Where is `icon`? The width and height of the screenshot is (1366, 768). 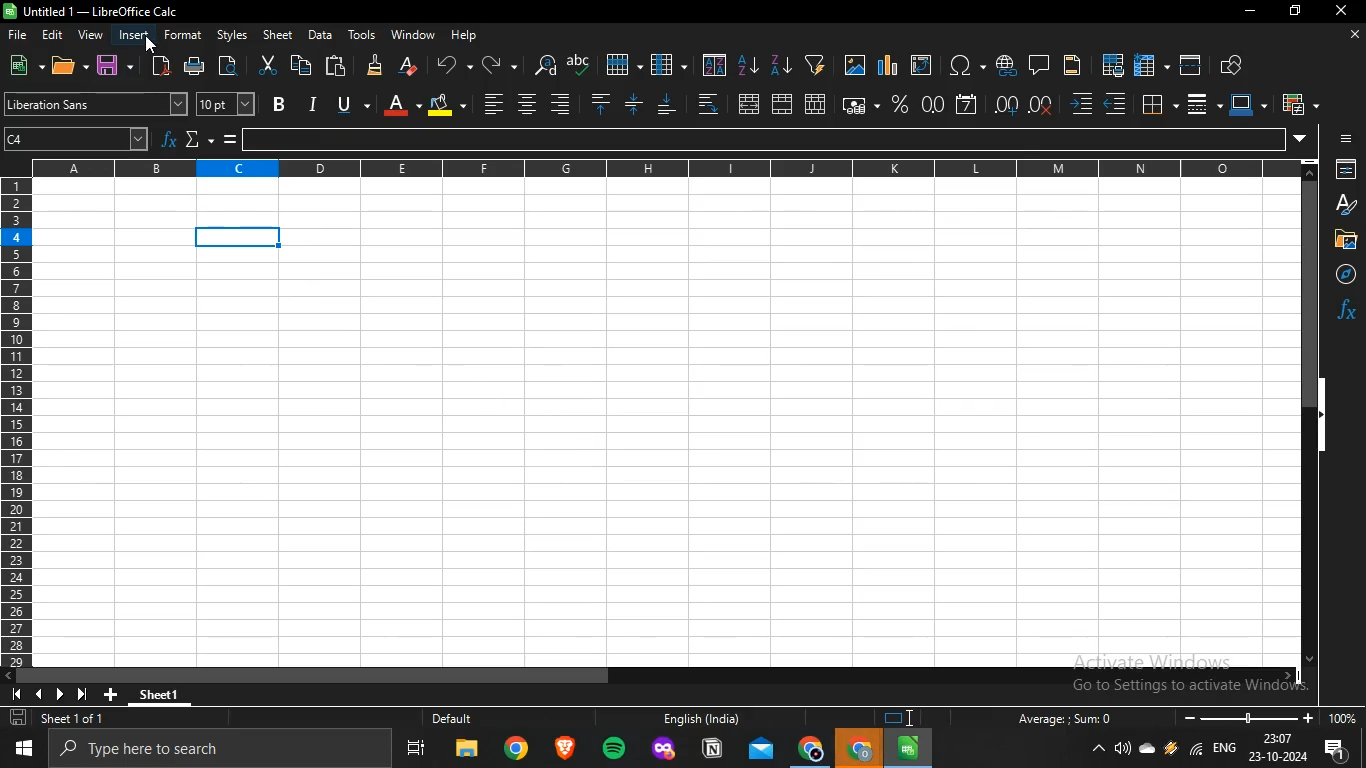
icon is located at coordinates (903, 718).